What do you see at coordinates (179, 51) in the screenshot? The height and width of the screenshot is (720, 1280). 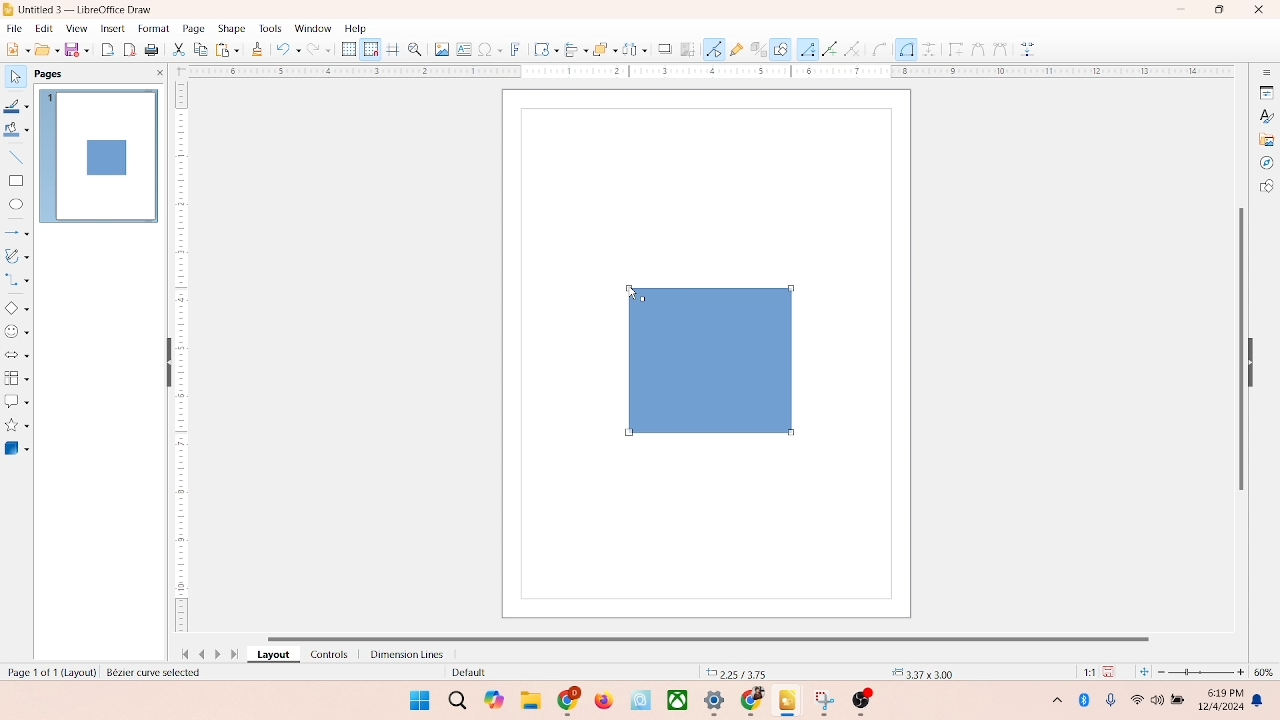 I see `cut` at bounding box center [179, 51].